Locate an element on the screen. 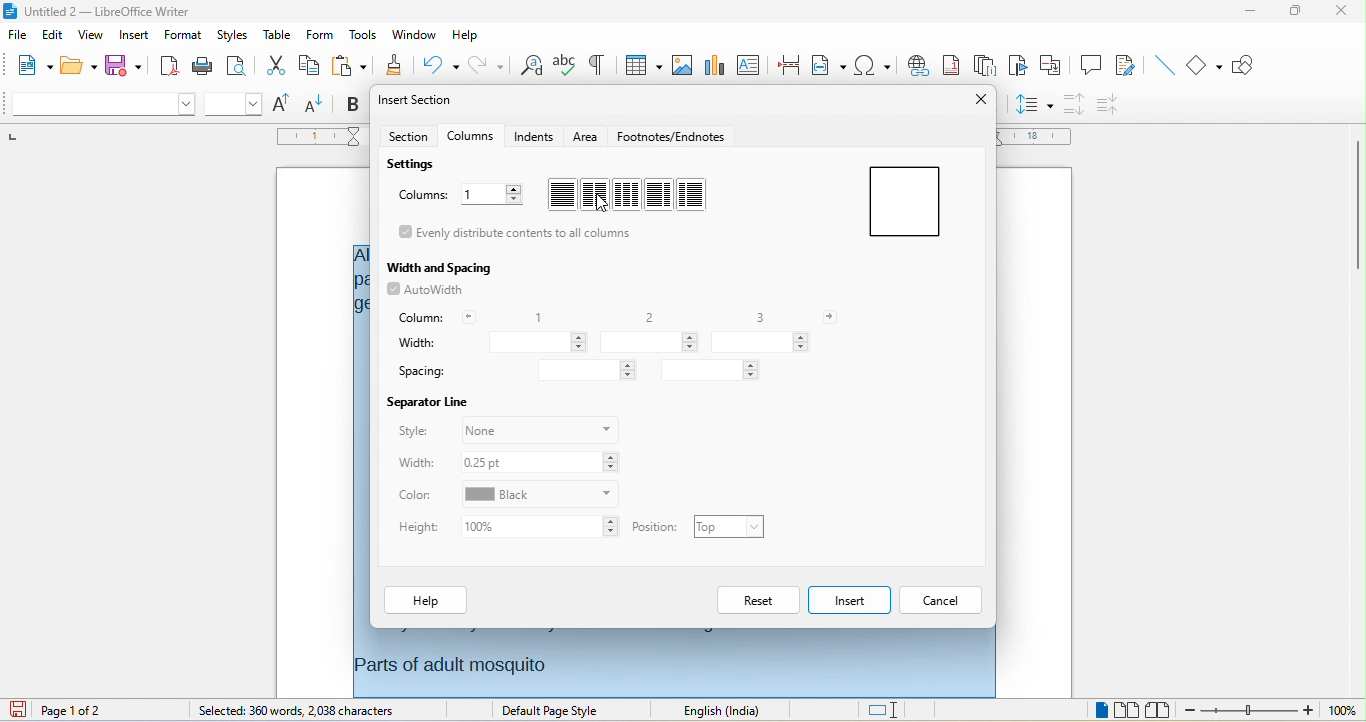 Image resolution: width=1366 pixels, height=722 pixels. book view is located at coordinates (1158, 710).